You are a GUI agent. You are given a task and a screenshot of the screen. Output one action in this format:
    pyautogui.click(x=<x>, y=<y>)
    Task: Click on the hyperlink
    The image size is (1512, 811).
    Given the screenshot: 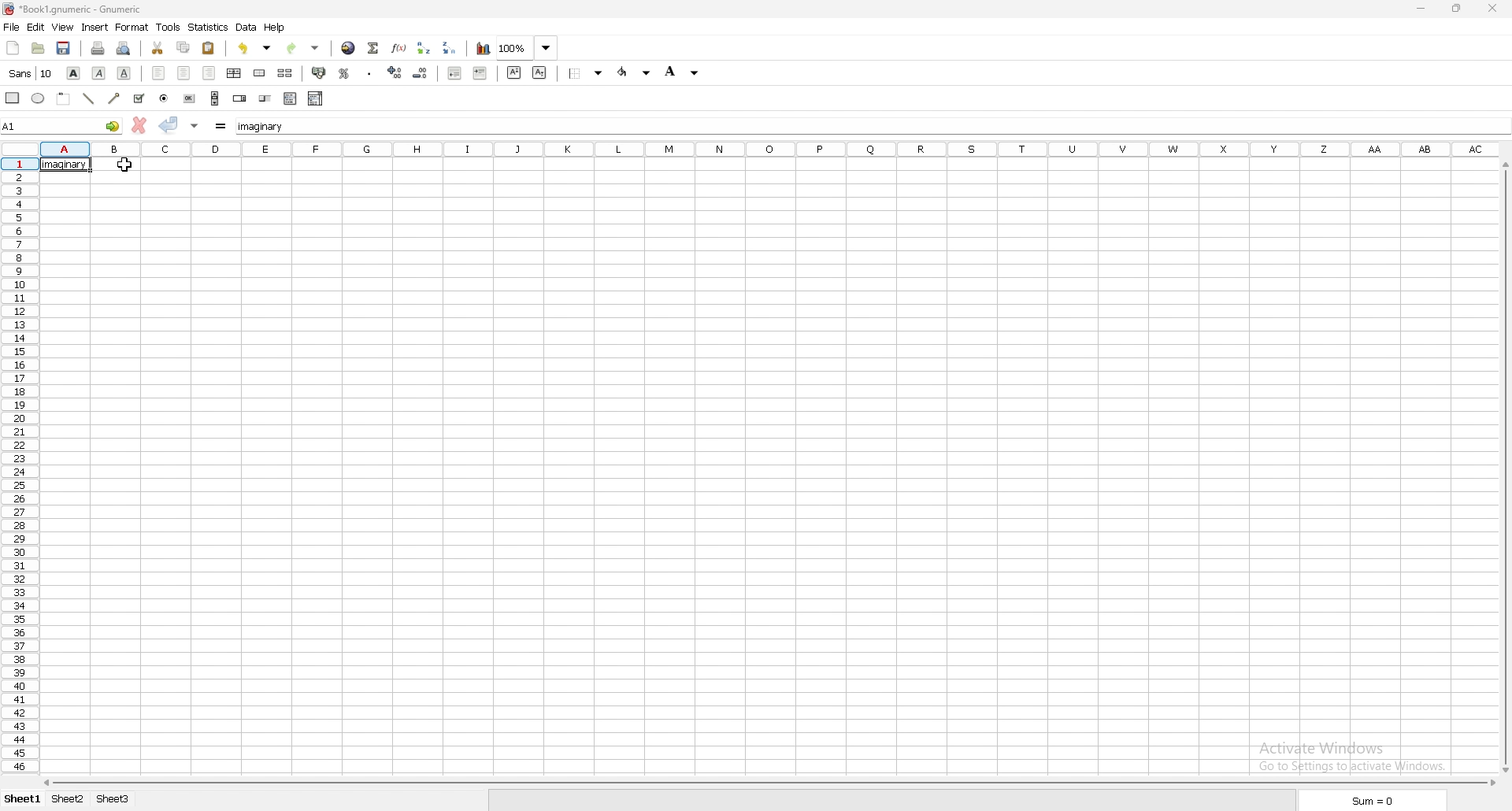 What is the action you would take?
    pyautogui.click(x=349, y=48)
    